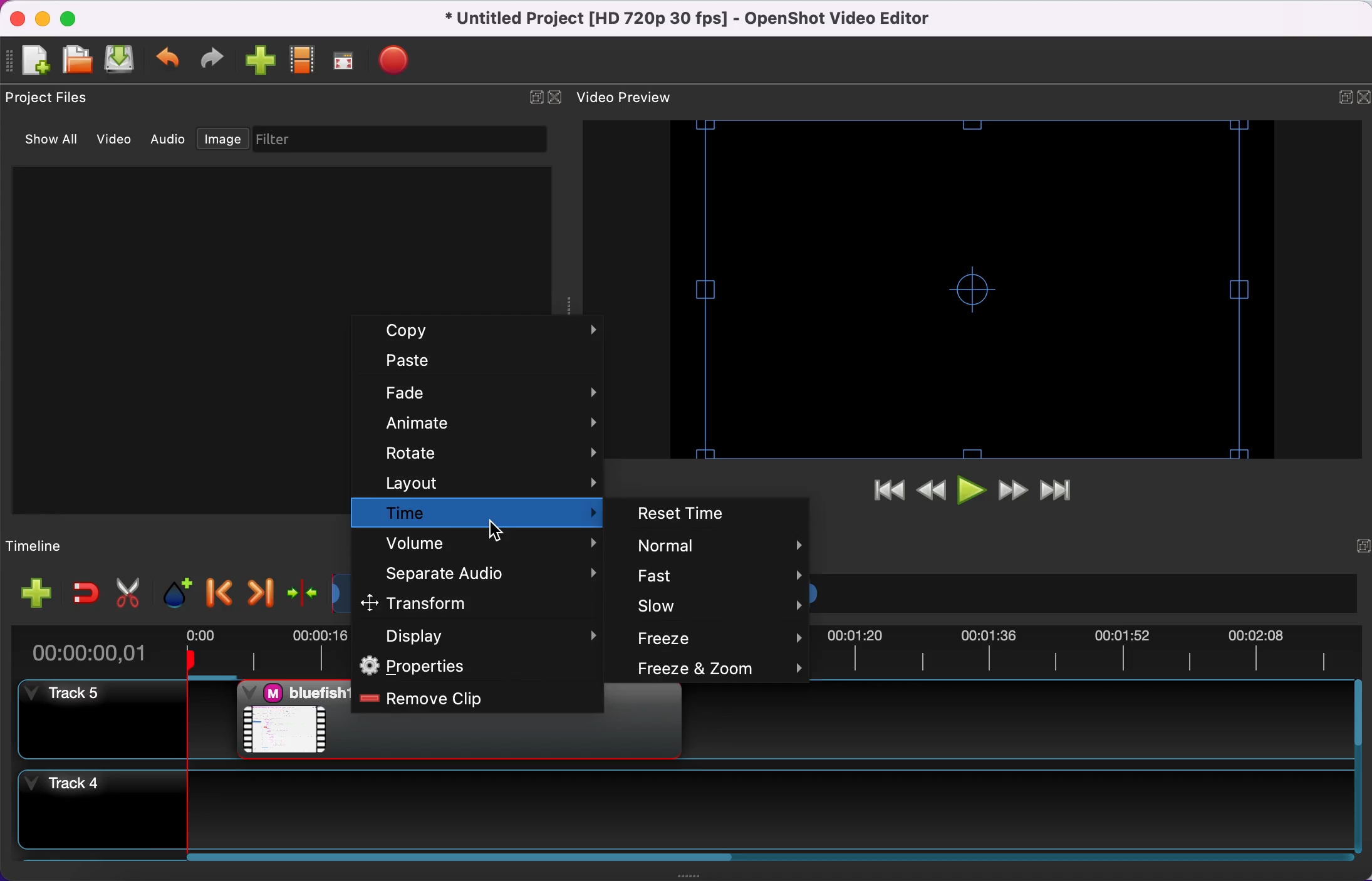  What do you see at coordinates (635, 96) in the screenshot?
I see `video preview` at bounding box center [635, 96].